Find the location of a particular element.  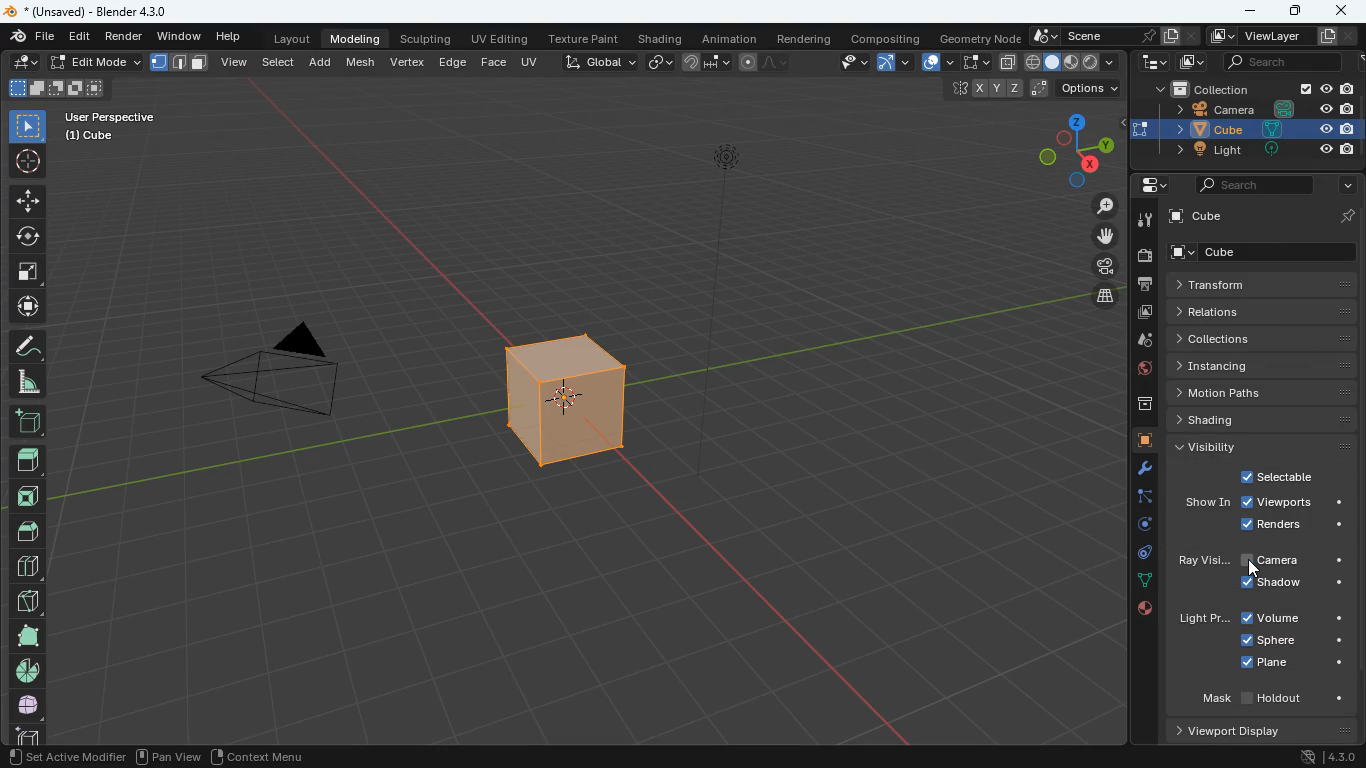

select is located at coordinates (278, 65).